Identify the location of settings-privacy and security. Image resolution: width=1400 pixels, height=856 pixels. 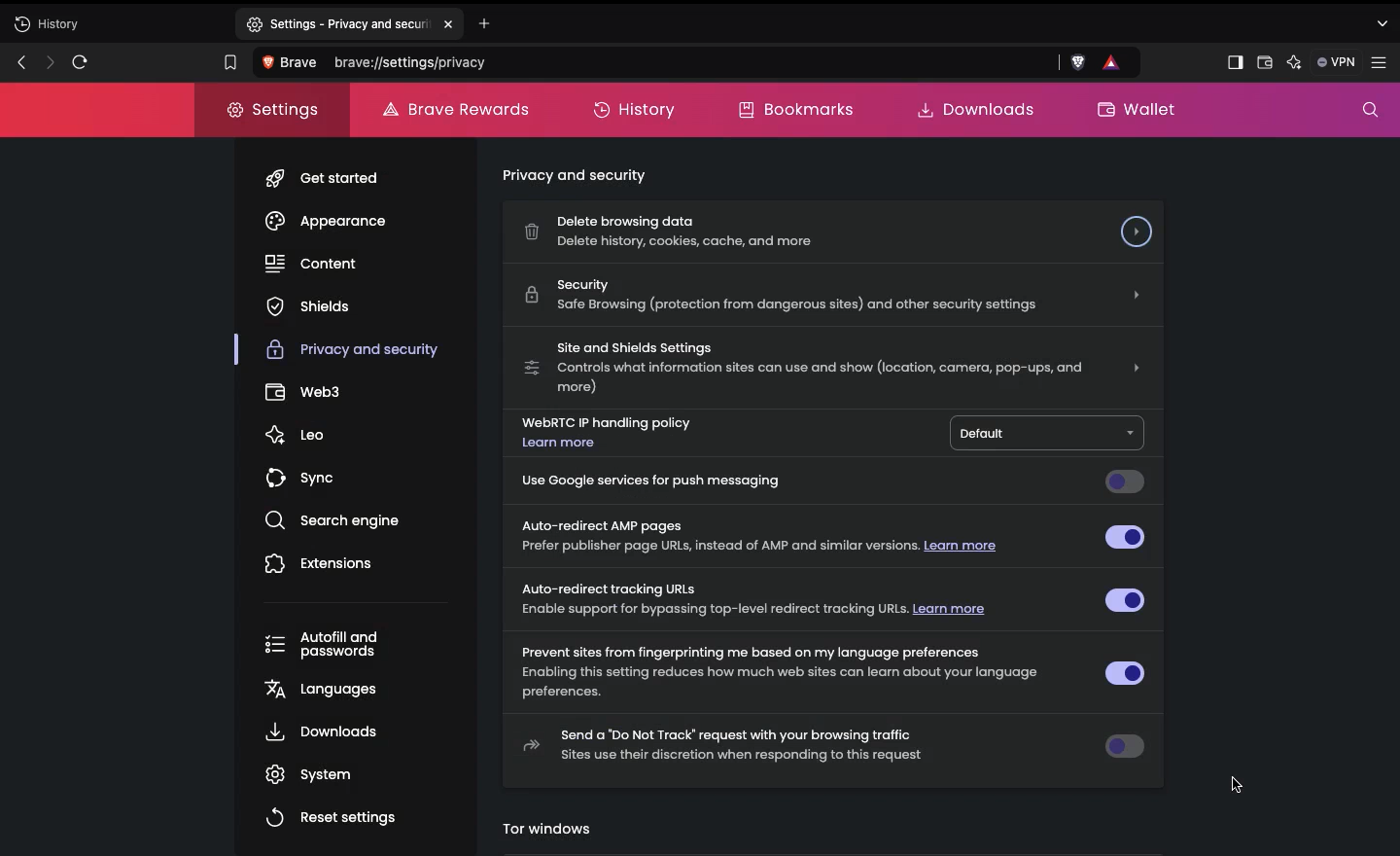
(349, 20).